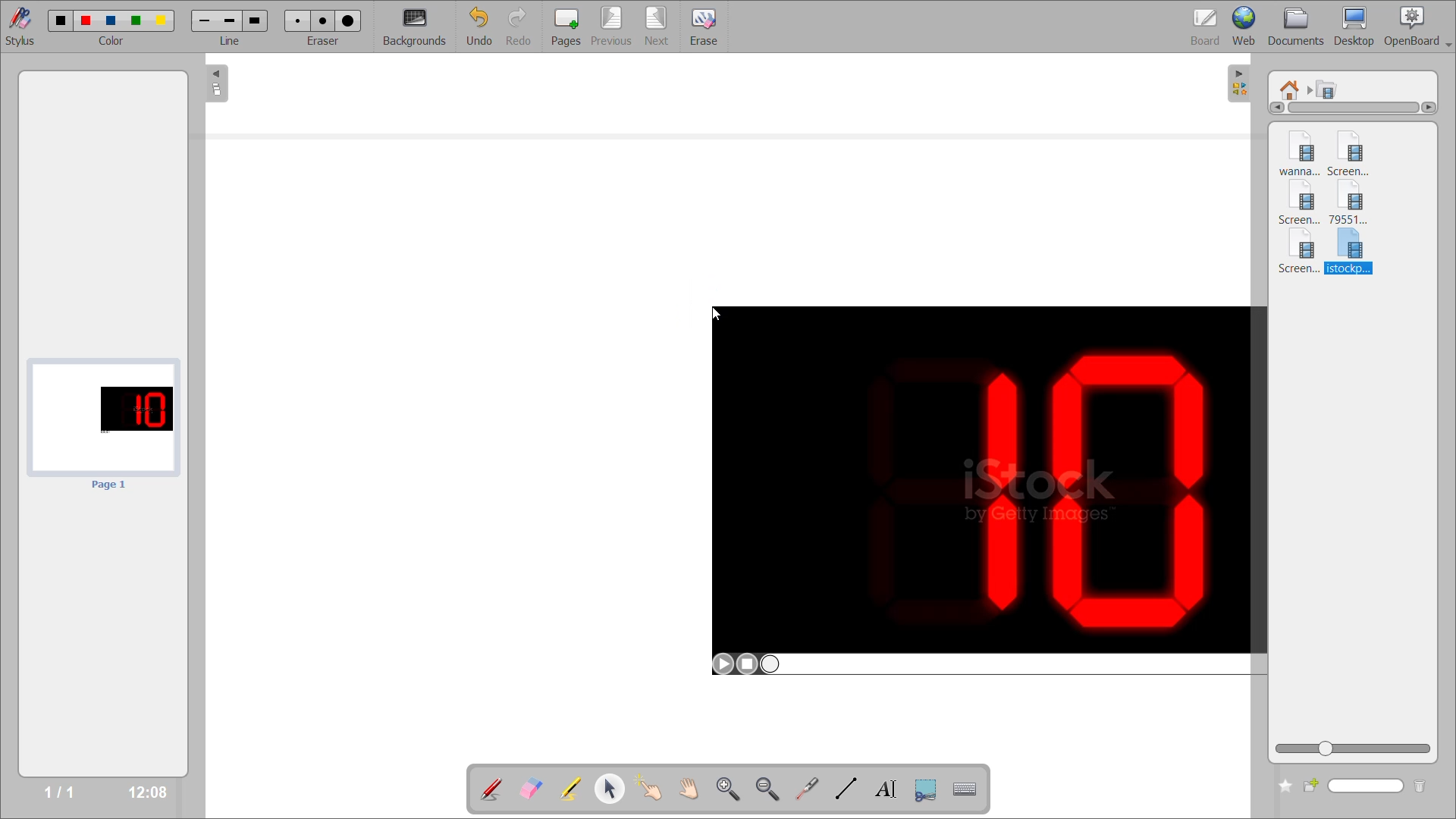 The height and width of the screenshot is (819, 1456). What do you see at coordinates (1301, 204) in the screenshot?
I see `video 3` at bounding box center [1301, 204].